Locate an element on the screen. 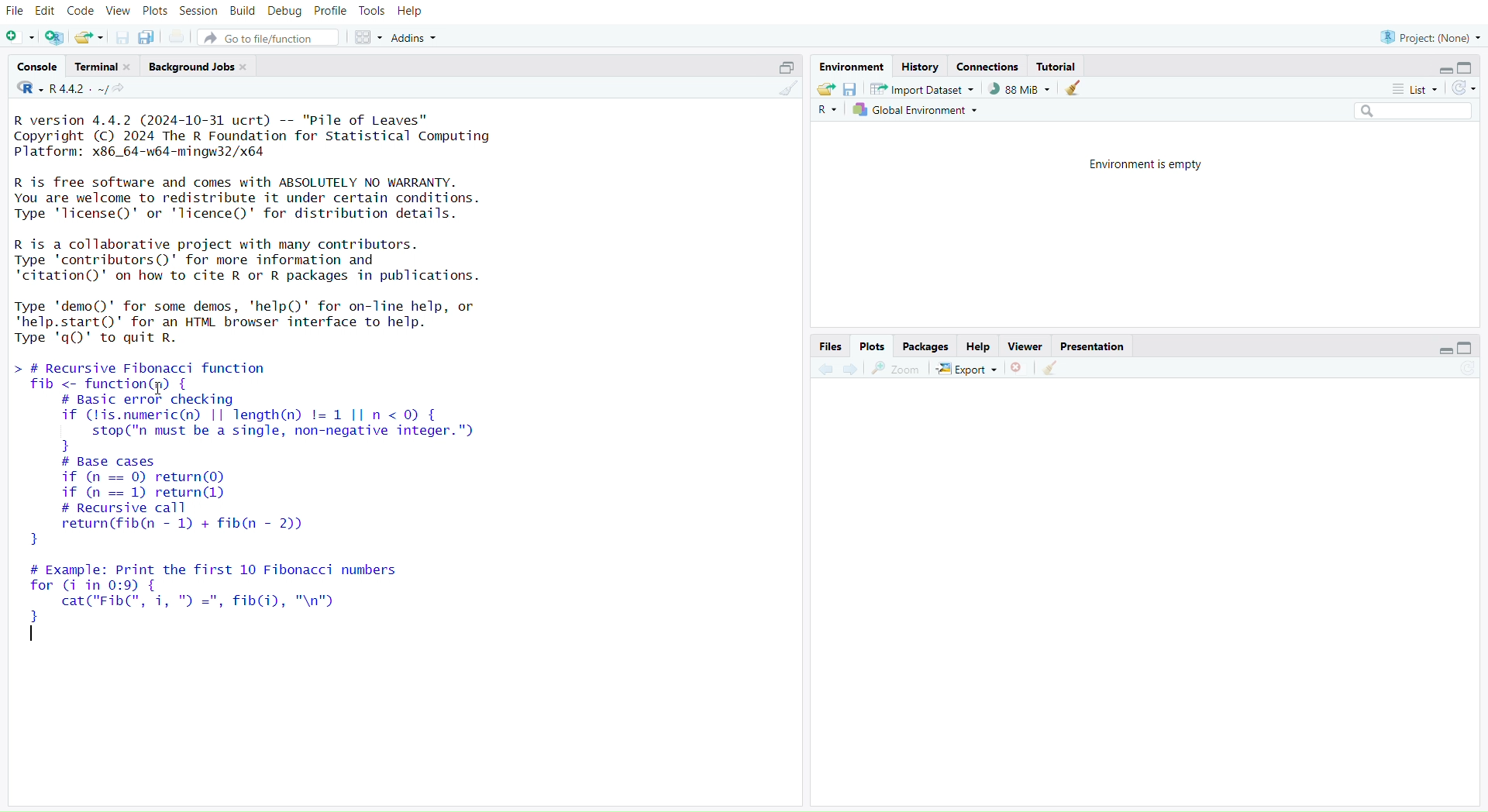 Image resolution: width=1488 pixels, height=812 pixels. text cursor is located at coordinates (34, 637).